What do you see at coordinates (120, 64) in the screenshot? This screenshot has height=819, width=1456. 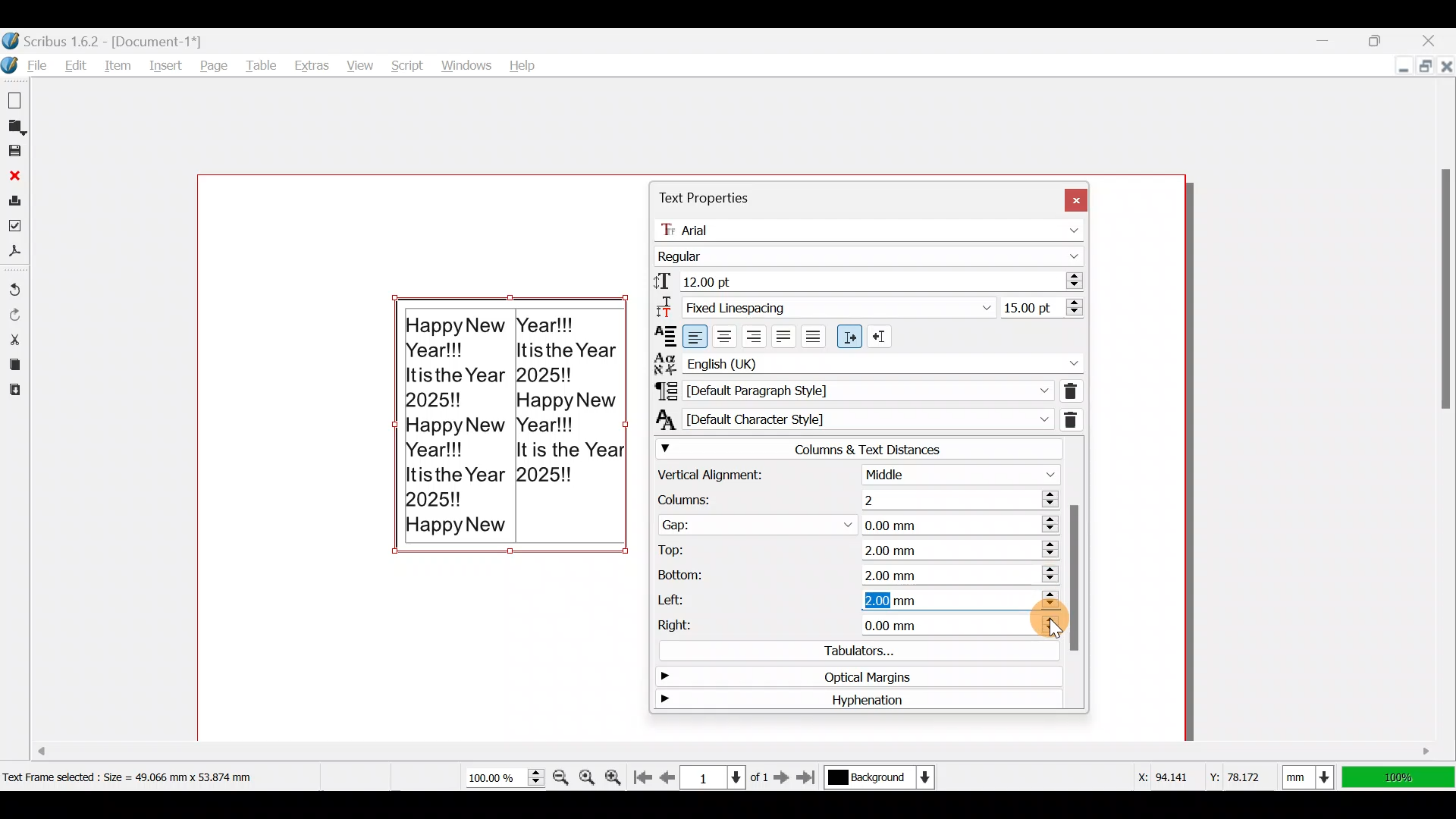 I see `Item` at bounding box center [120, 64].